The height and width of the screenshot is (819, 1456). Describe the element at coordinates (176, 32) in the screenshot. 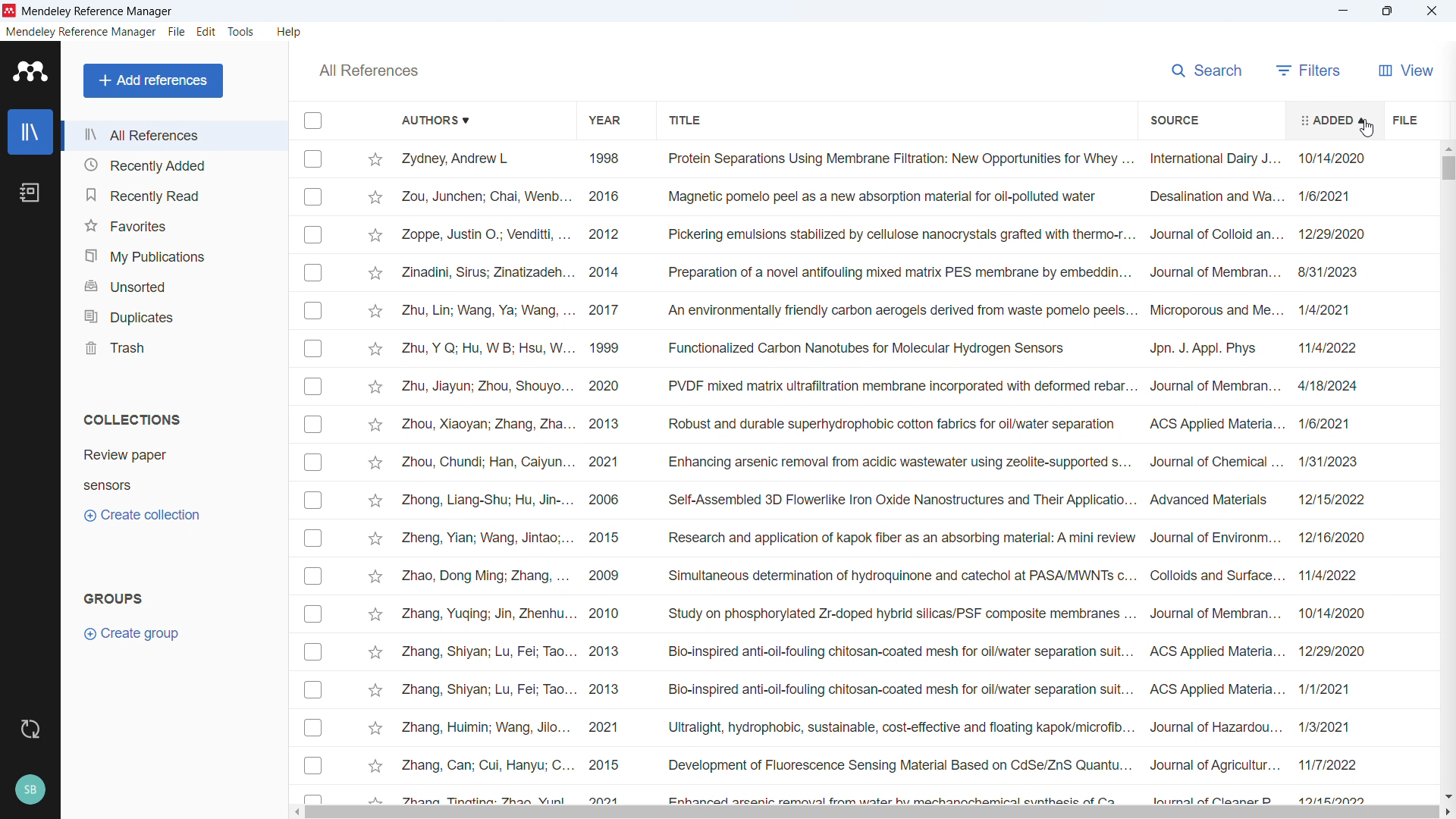

I see `file` at that location.